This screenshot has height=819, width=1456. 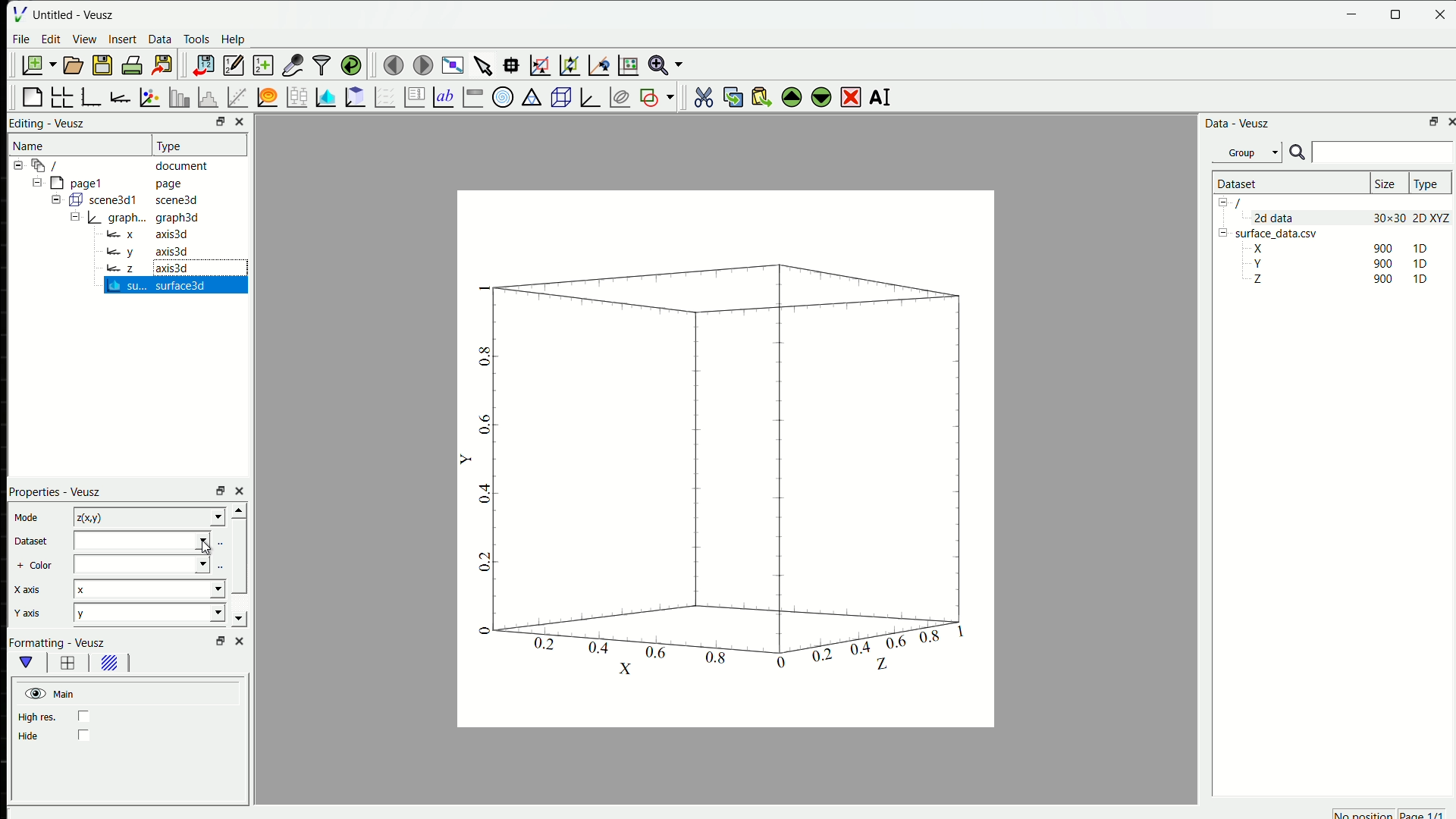 What do you see at coordinates (221, 121) in the screenshot?
I see `open in separate window` at bounding box center [221, 121].